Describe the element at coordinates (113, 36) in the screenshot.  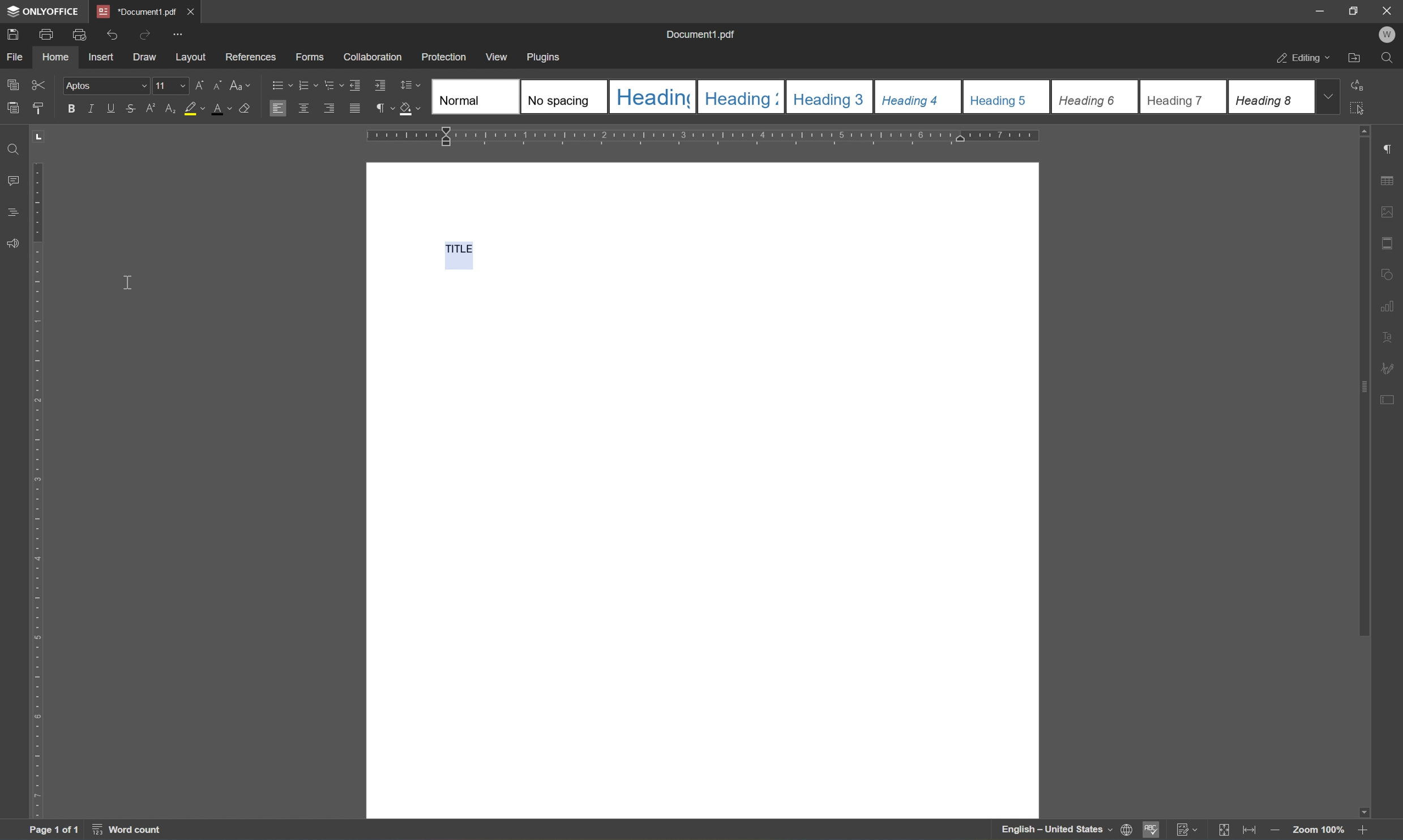
I see `undo` at that location.